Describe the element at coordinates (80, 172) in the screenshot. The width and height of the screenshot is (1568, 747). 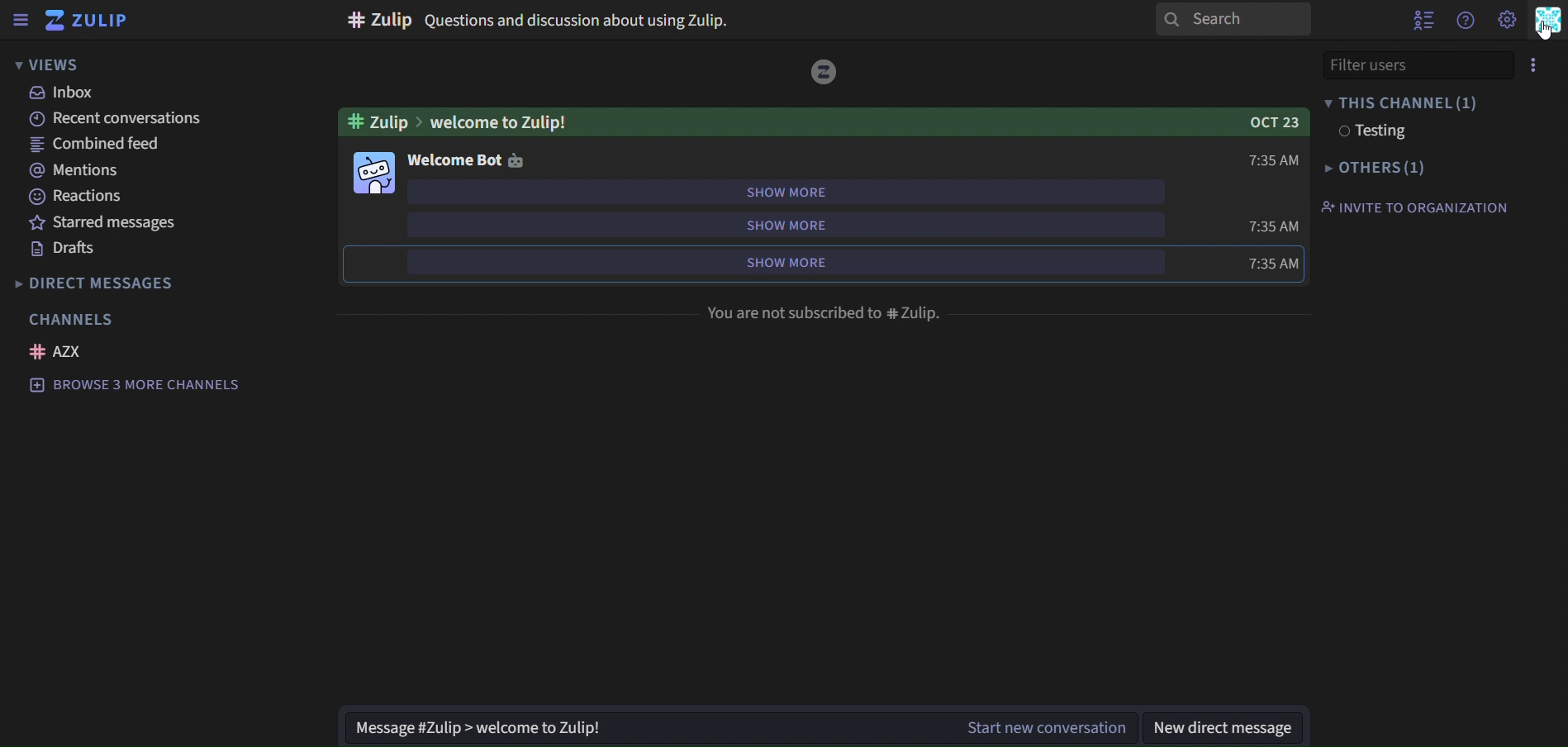
I see `mentions` at that location.